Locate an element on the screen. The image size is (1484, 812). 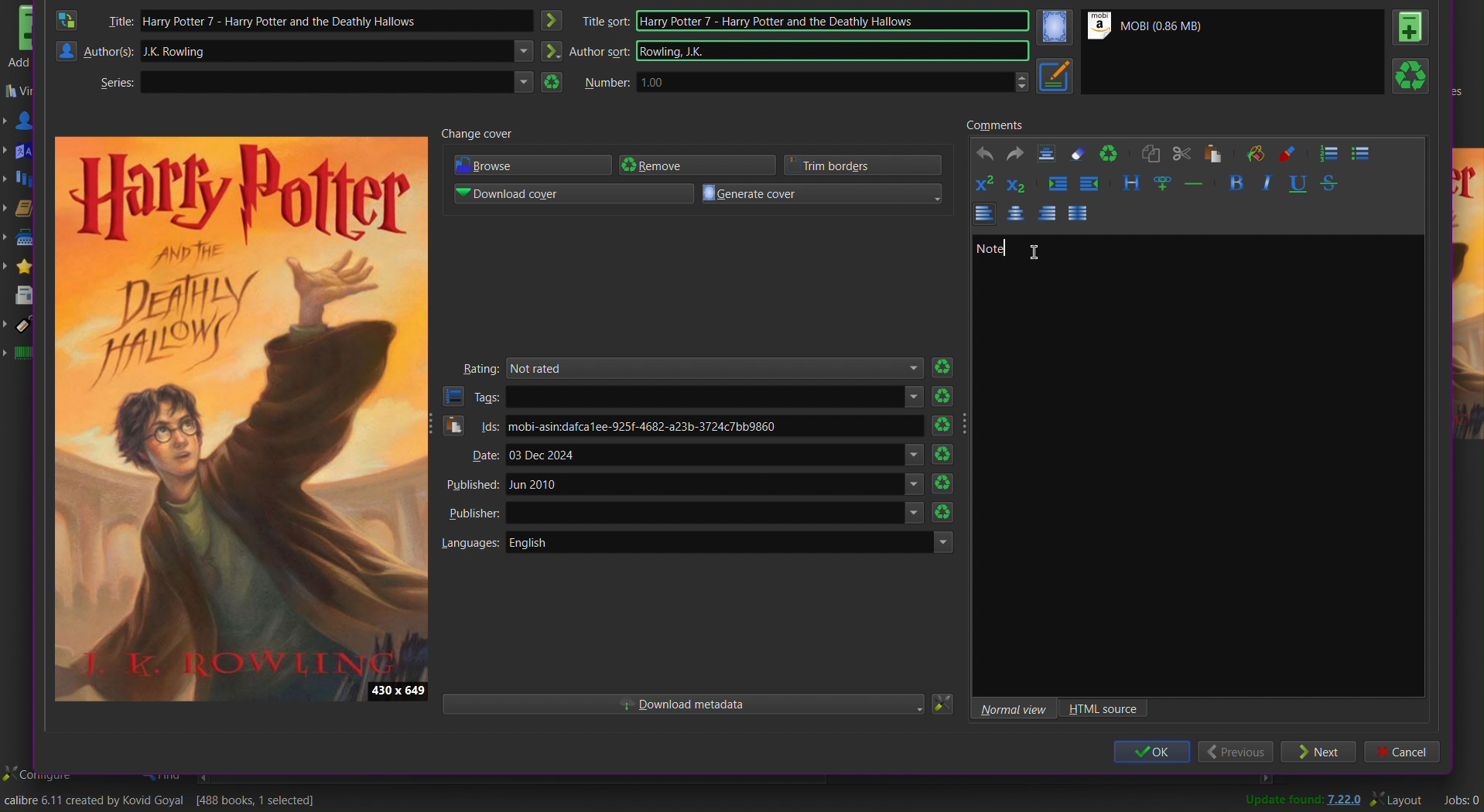
Refresh is located at coordinates (941, 421).